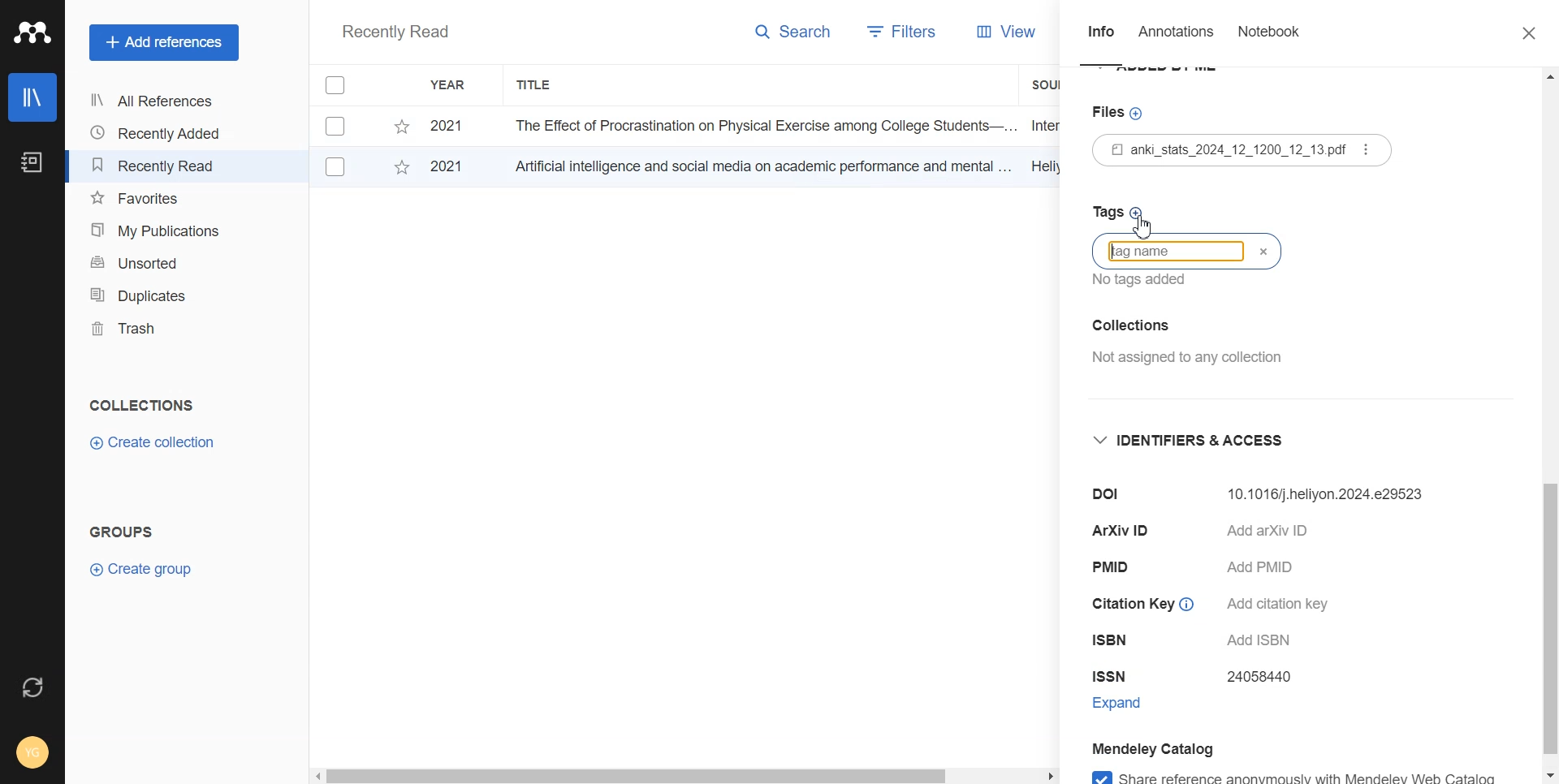 Image resolution: width=1559 pixels, height=784 pixels. Describe the element at coordinates (159, 295) in the screenshot. I see `Duplicates` at that location.